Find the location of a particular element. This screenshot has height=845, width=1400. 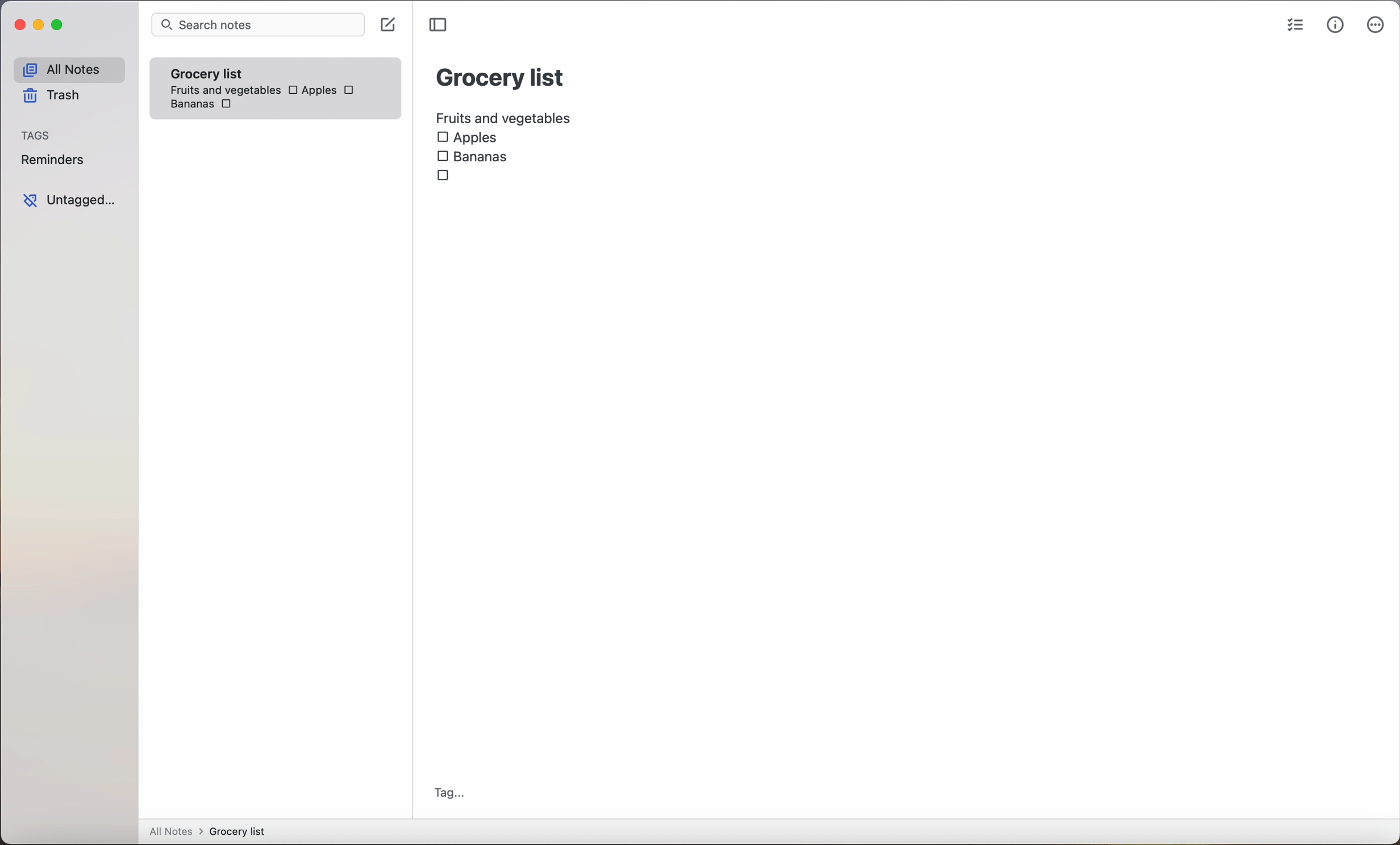

checkbox is located at coordinates (351, 90).